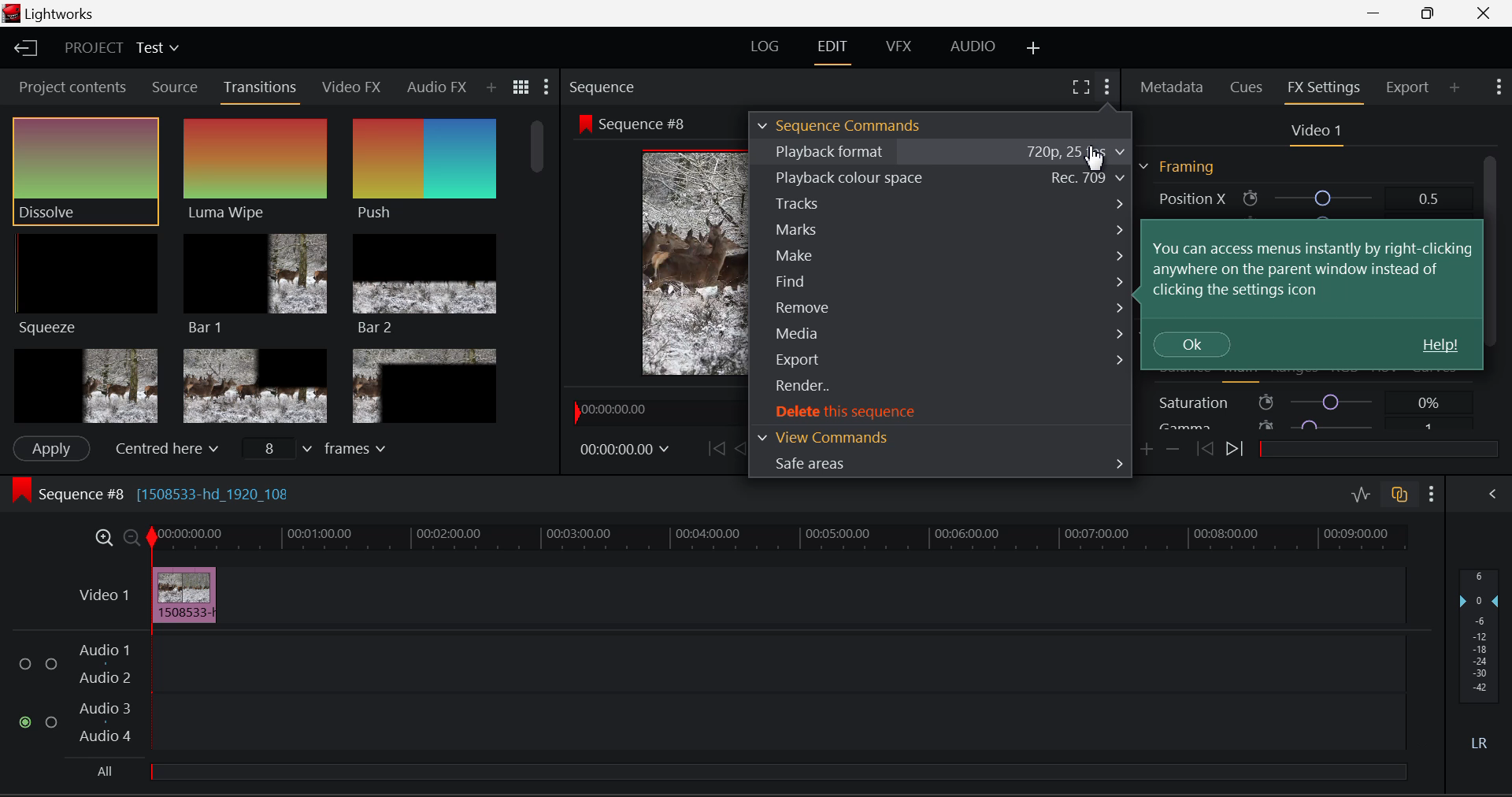 Image resolution: width=1512 pixels, height=797 pixels. What do you see at coordinates (940, 256) in the screenshot?
I see `Make` at bounding box center [940, 256].